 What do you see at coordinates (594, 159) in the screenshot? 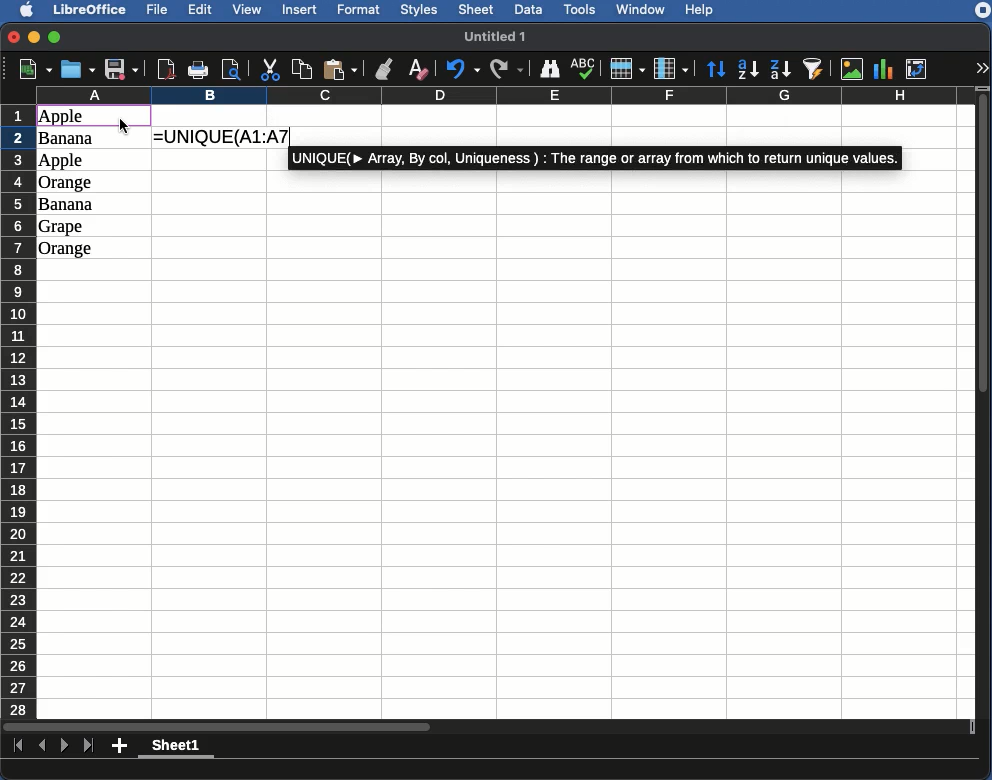
I see `UNIQUE(Array, By col, Uniqueness) : the range or array from which to return unique values.` at bounding box center [594, 159].